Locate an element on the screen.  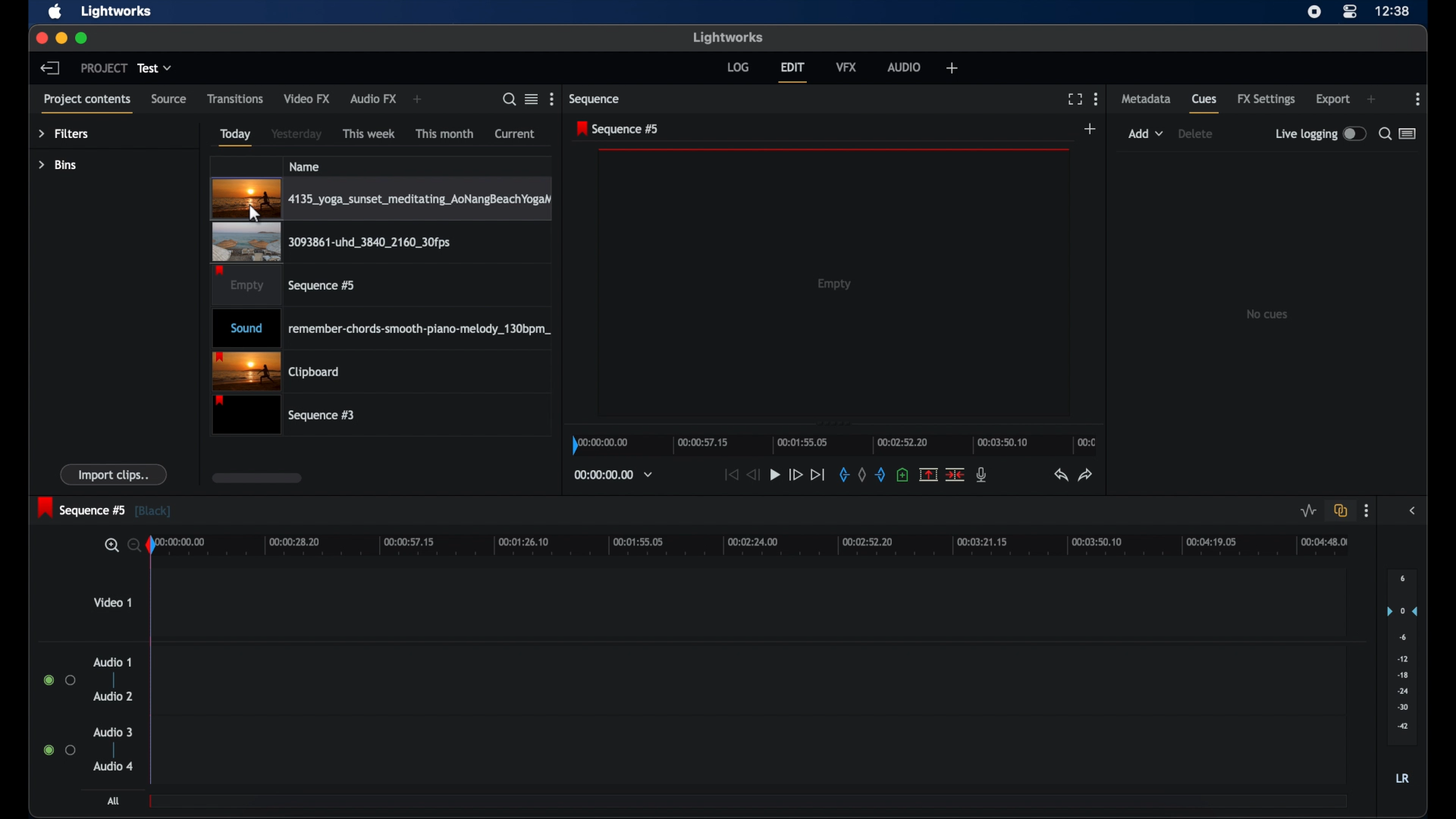
add is located at coordinates (418, 99).